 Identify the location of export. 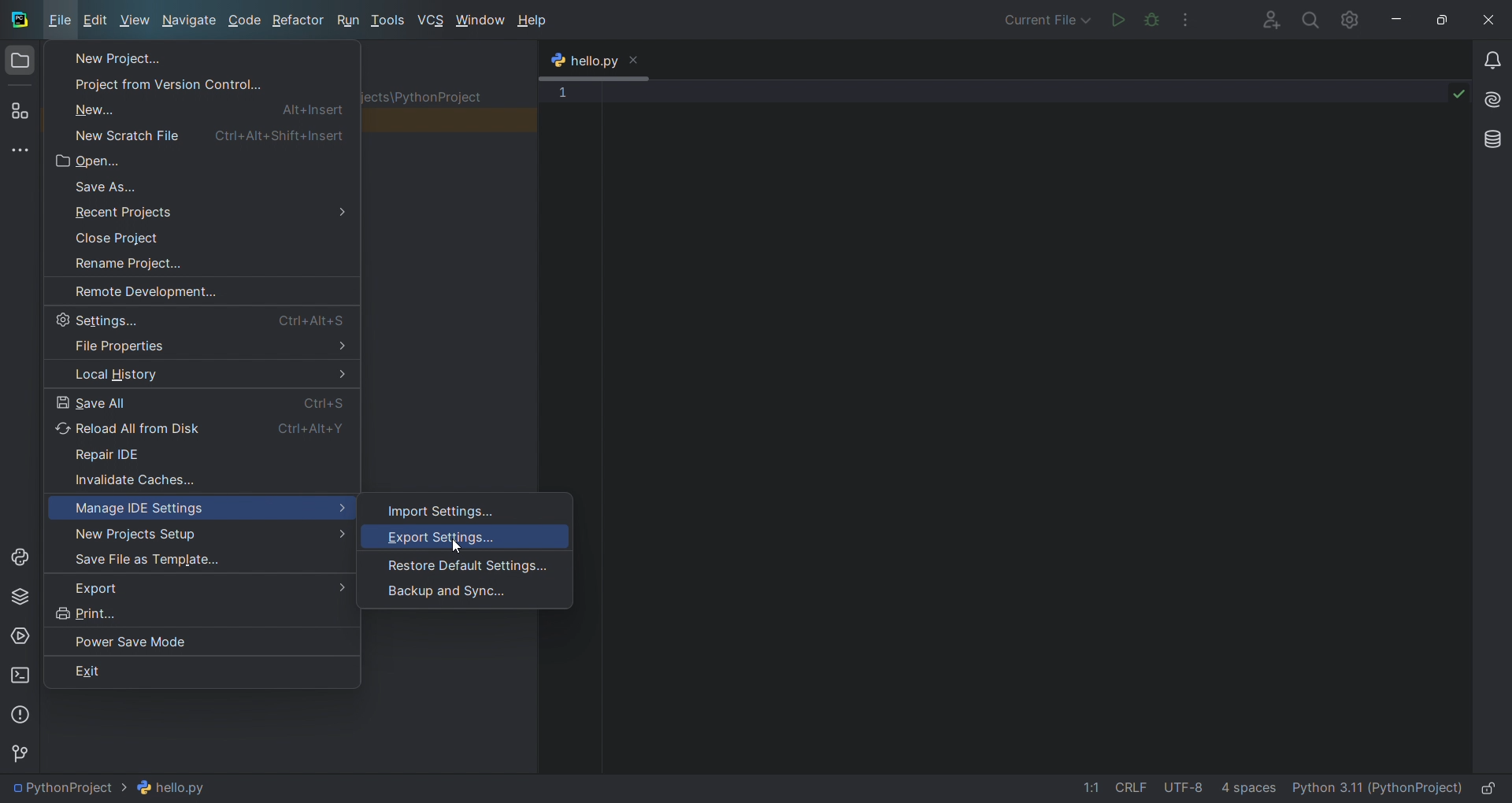
(197, 584).